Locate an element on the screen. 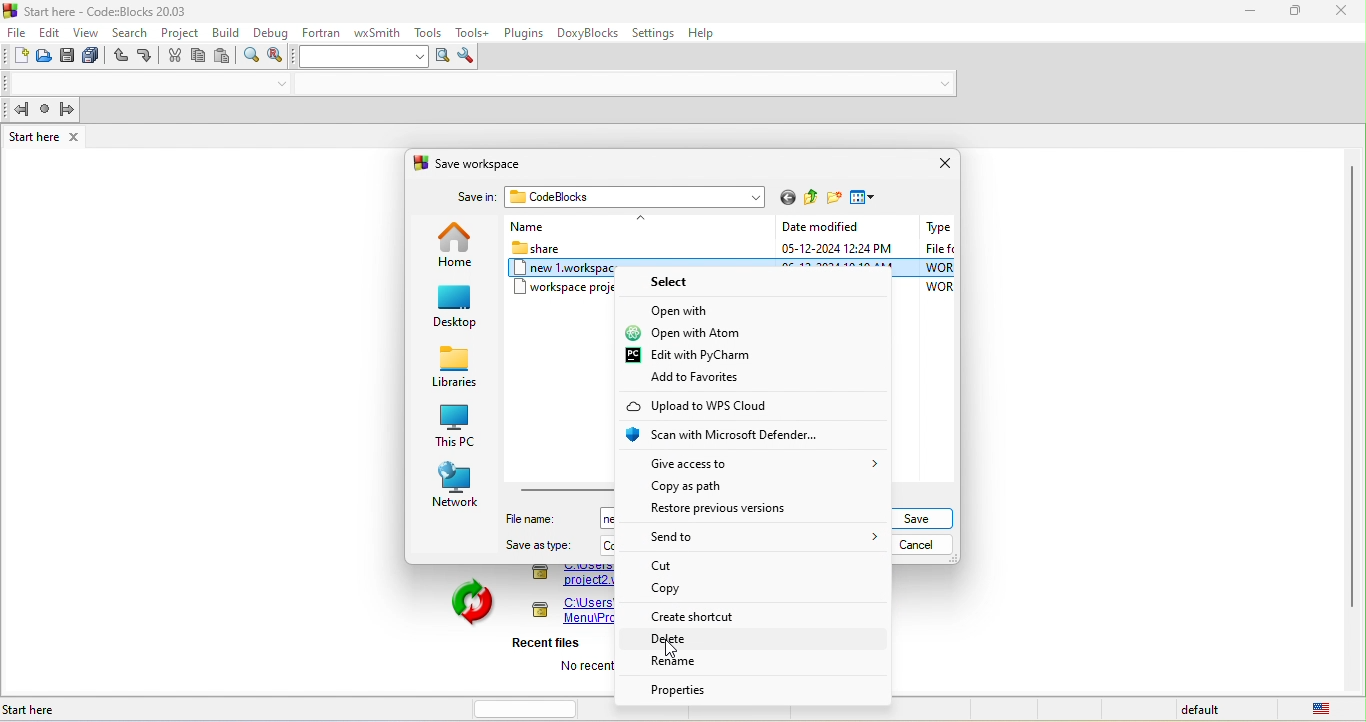  united state is located at coordinates (1325, 709).